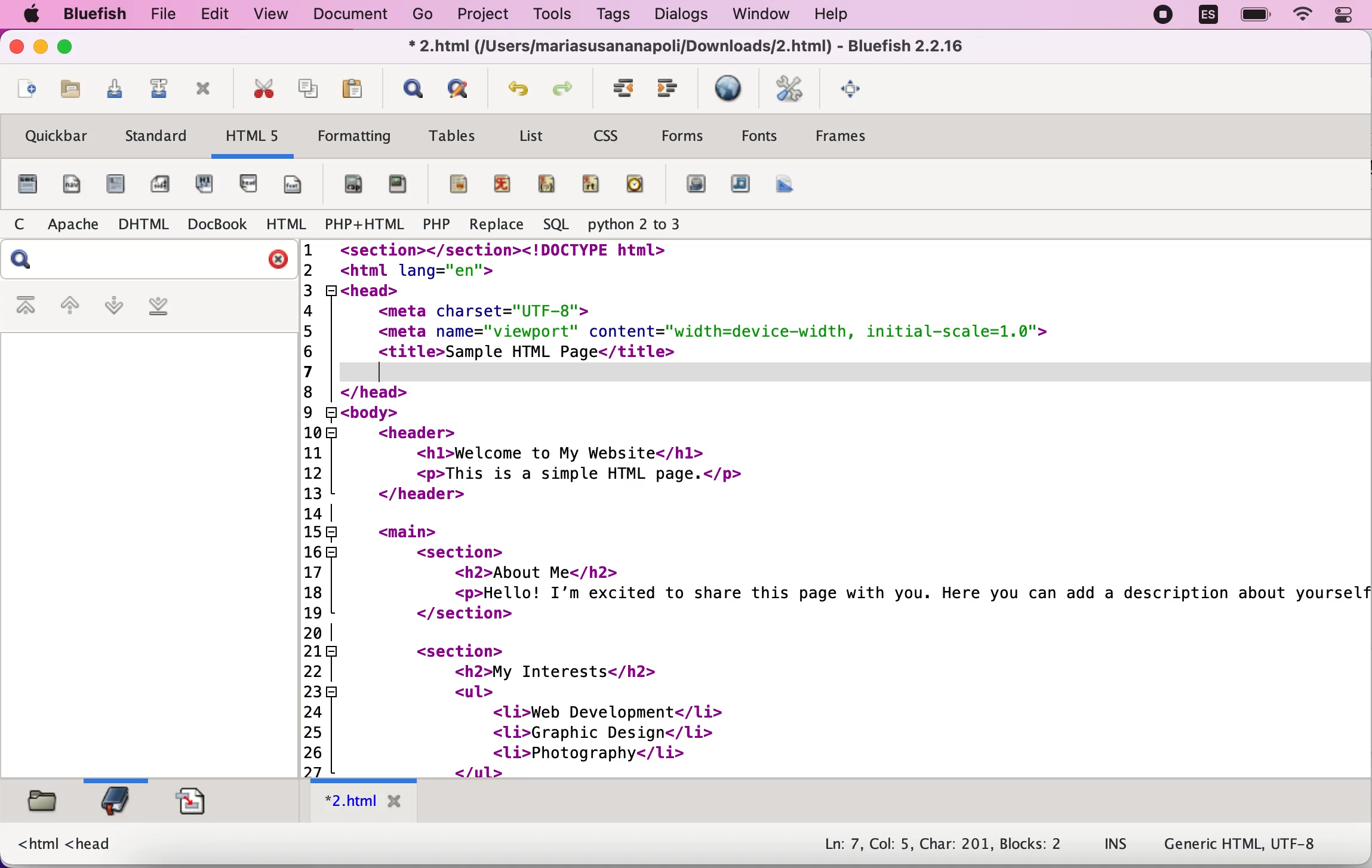  Describe the element at coordinates (696, 184) in the screenshot. I see `video` at that location.